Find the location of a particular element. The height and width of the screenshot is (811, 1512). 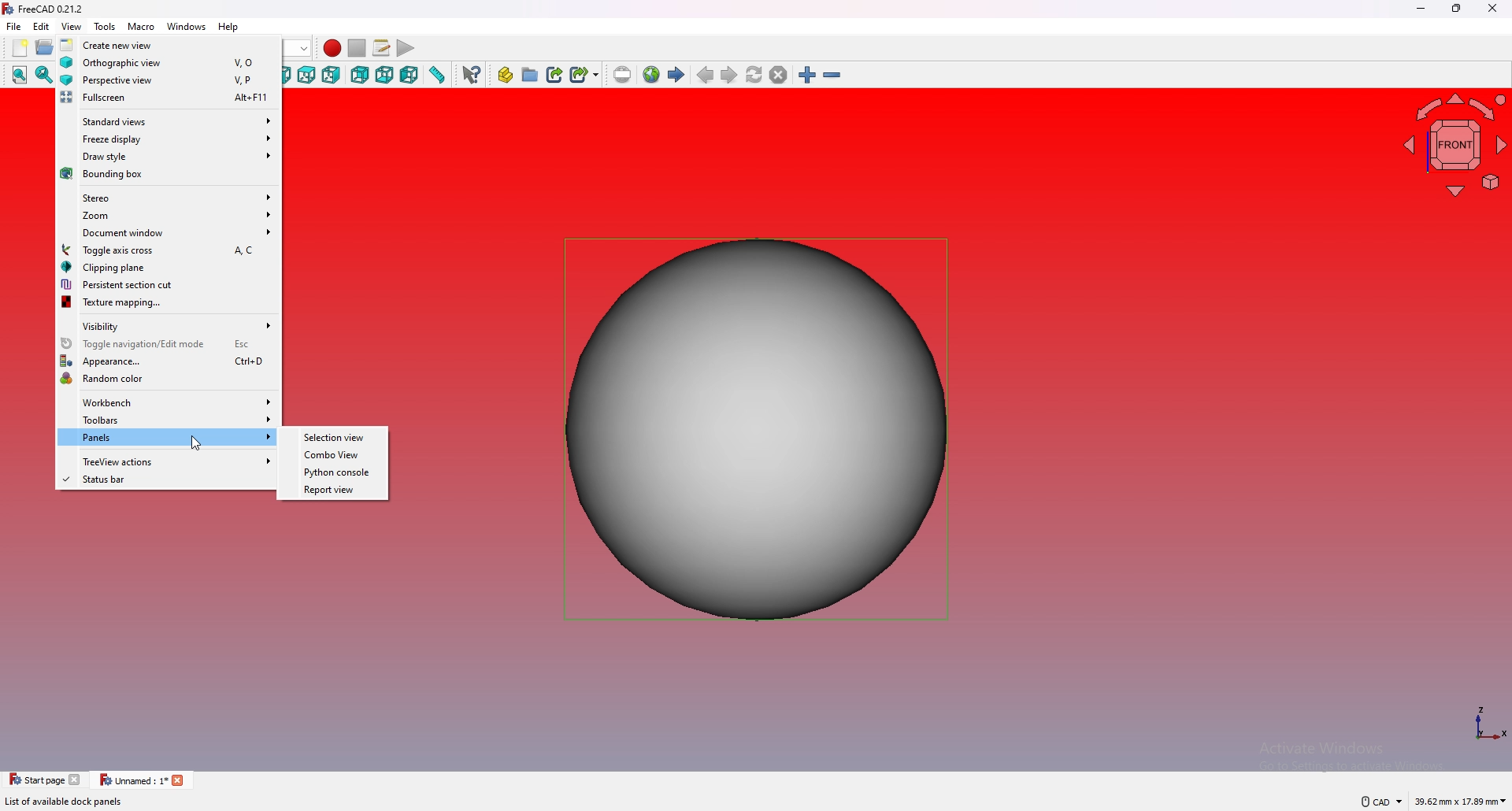

stereo is located at coordinates (169, 196).